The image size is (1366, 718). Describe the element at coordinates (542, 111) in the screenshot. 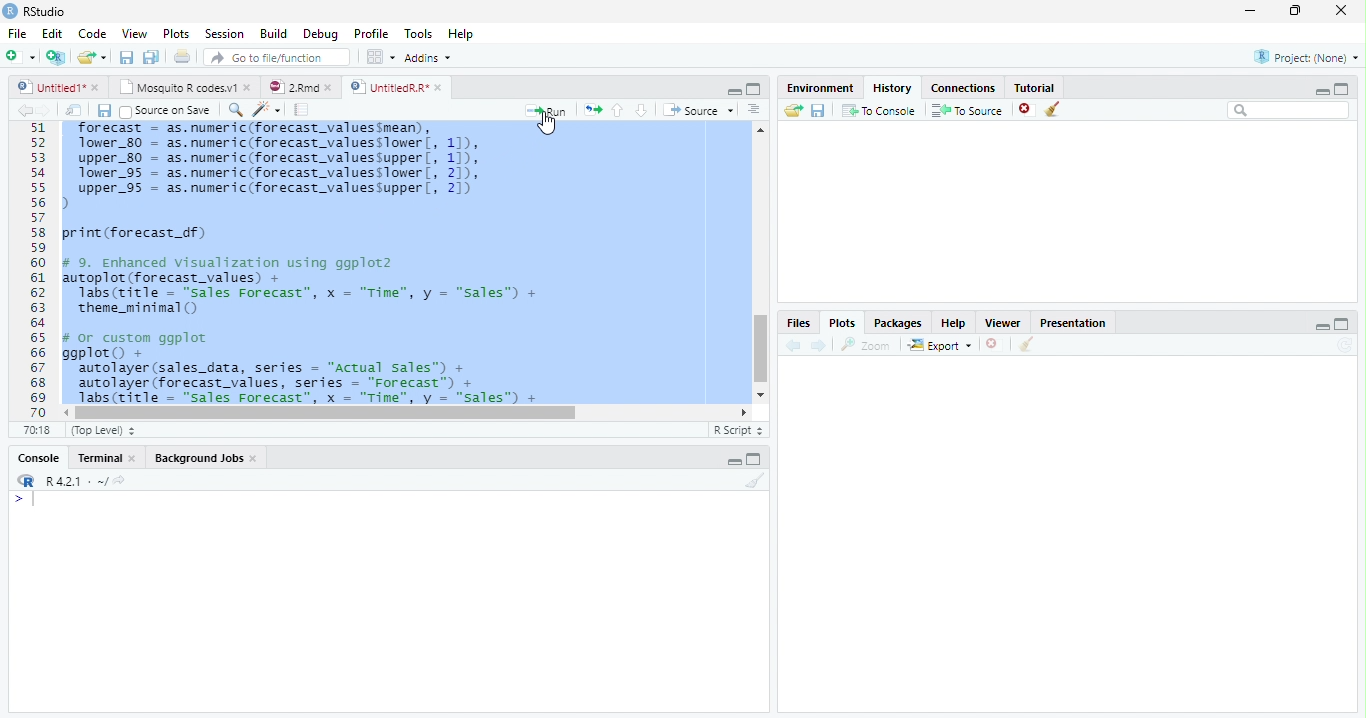

I see `Run` at that location.